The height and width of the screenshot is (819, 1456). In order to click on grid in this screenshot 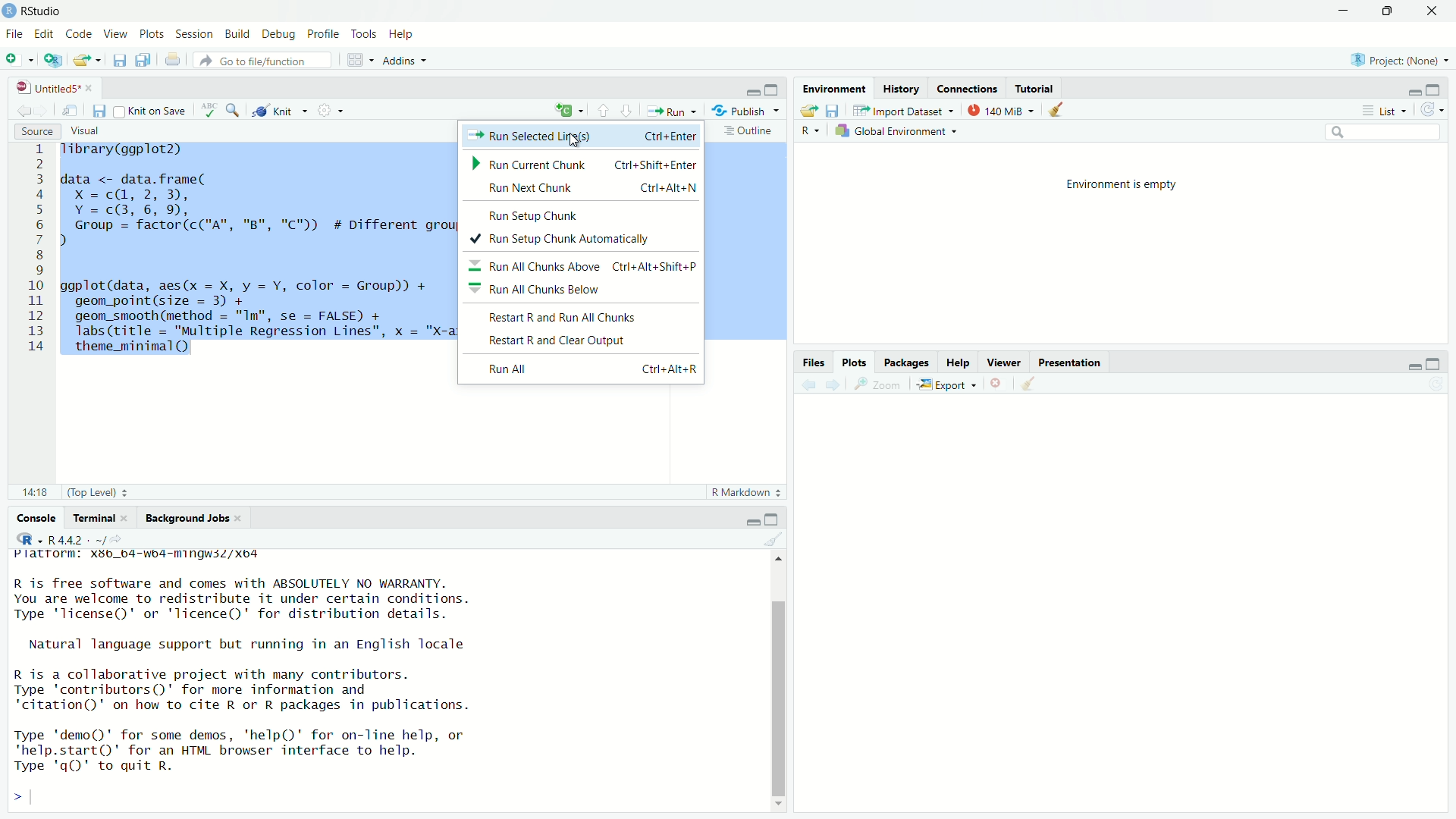, I will do `click(357, 61)`.